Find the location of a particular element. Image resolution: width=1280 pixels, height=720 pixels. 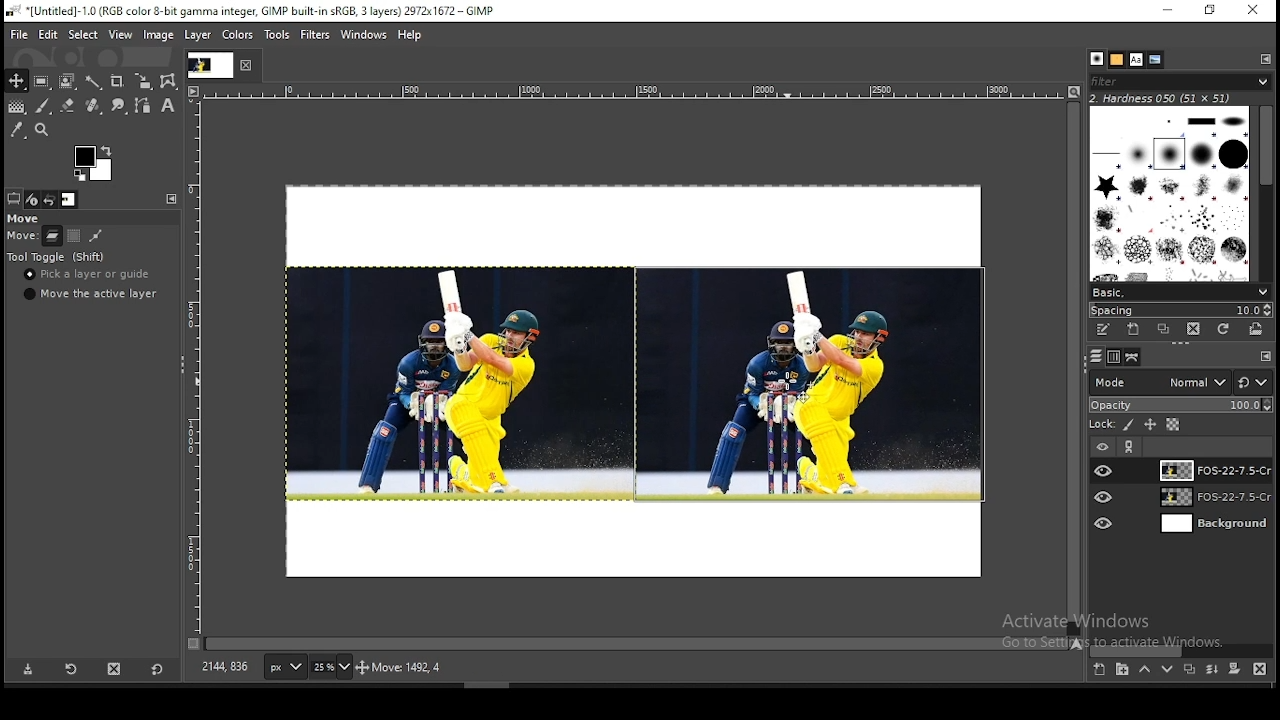

zoom tool is located at coordinates (44, 129).